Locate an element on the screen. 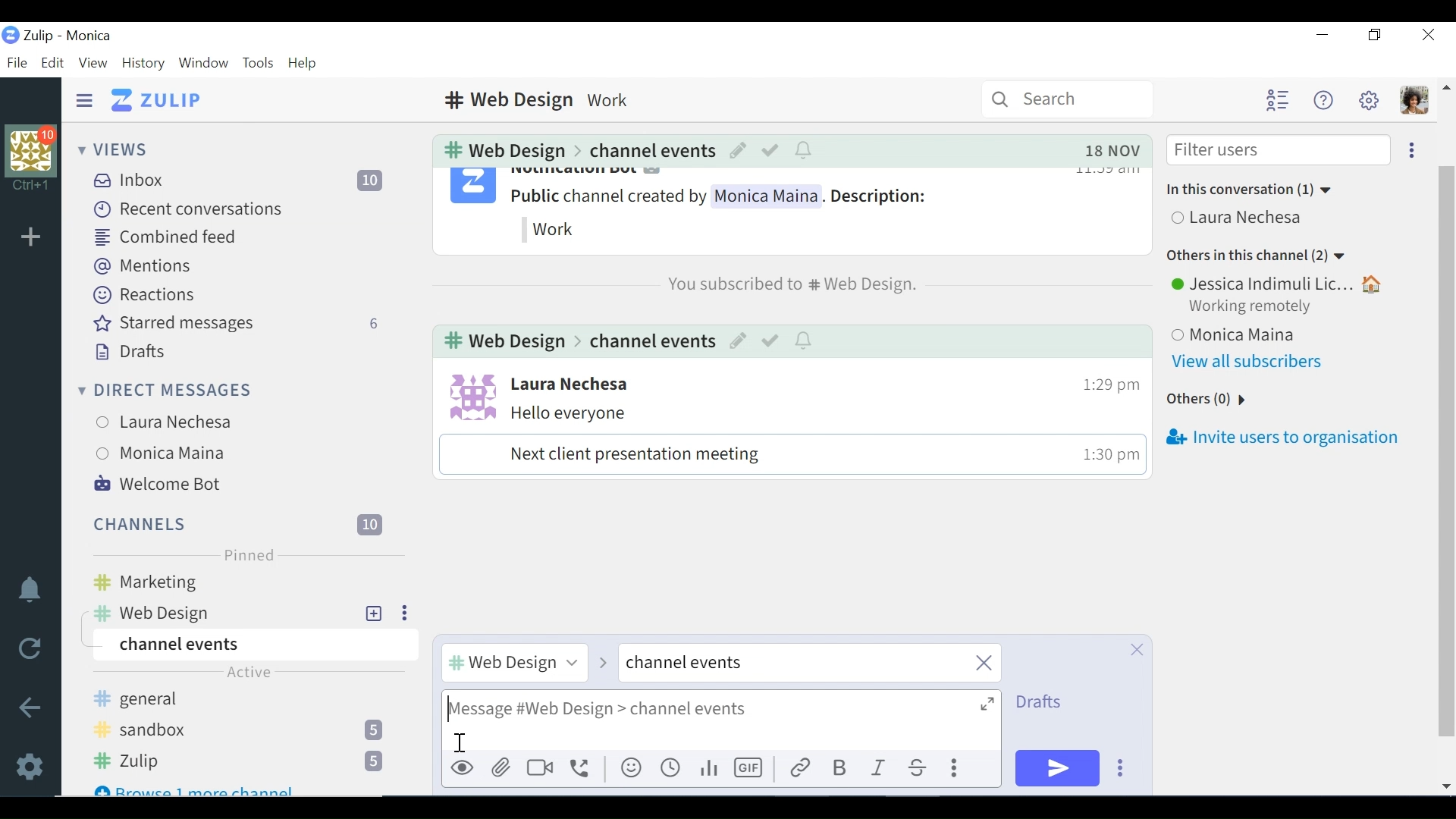  Go back is located at coordinates (31, 707).